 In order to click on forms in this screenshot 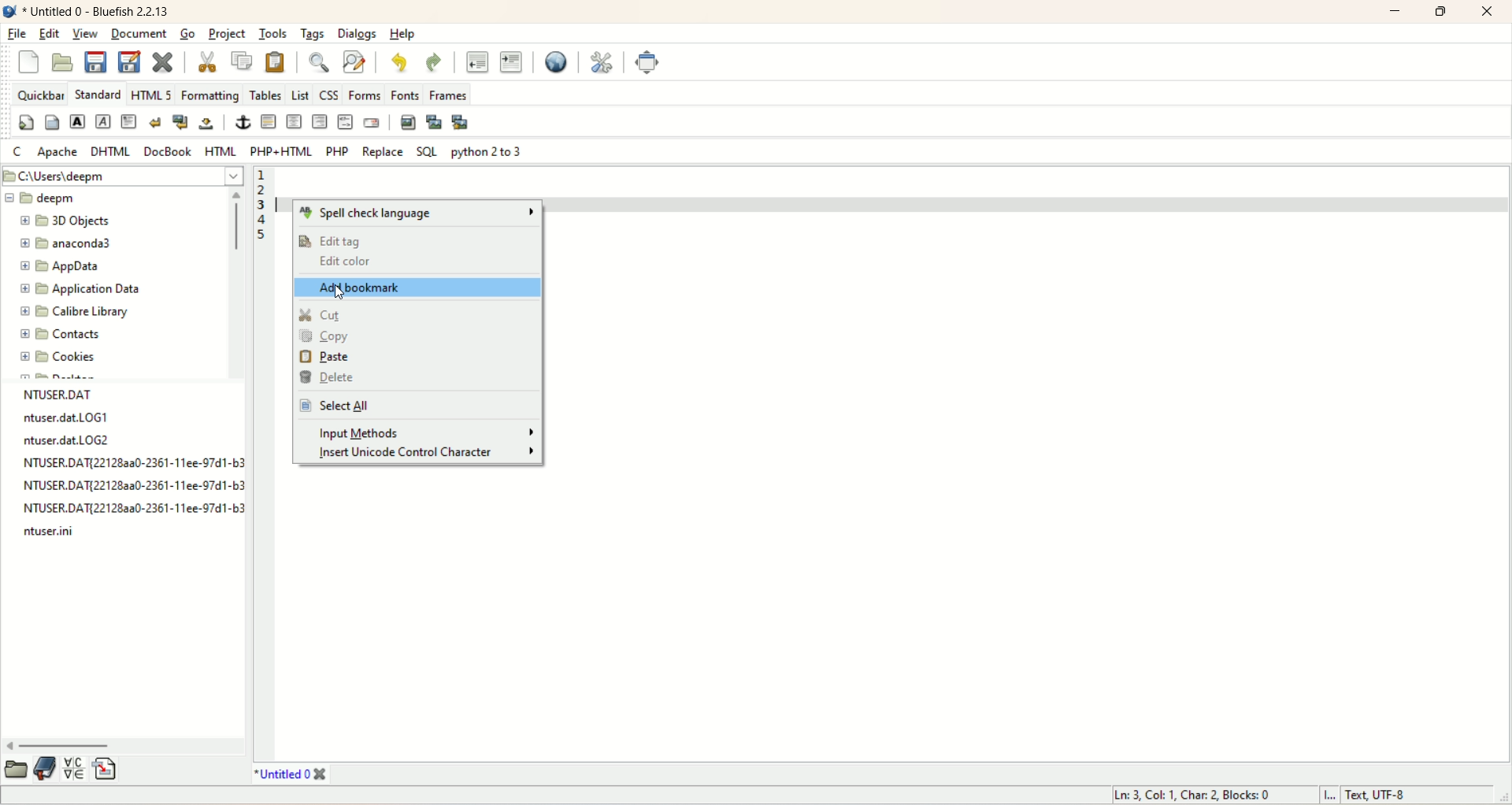, I will do `click(364, 95)`.